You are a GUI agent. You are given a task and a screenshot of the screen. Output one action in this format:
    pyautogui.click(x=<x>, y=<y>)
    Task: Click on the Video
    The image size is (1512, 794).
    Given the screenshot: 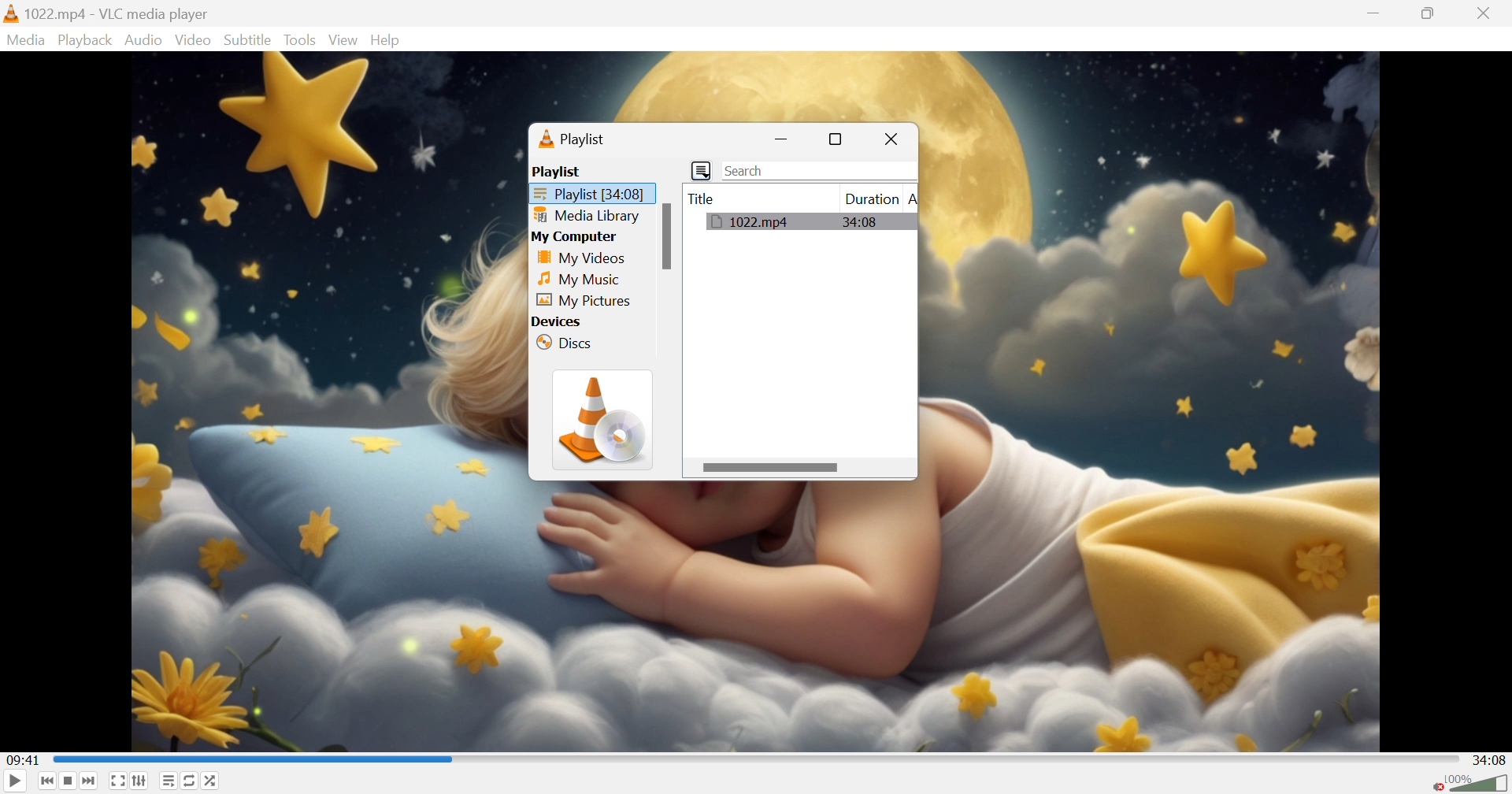 What is the action you would take?
    pyautogui.click(x=193, y=42)
    